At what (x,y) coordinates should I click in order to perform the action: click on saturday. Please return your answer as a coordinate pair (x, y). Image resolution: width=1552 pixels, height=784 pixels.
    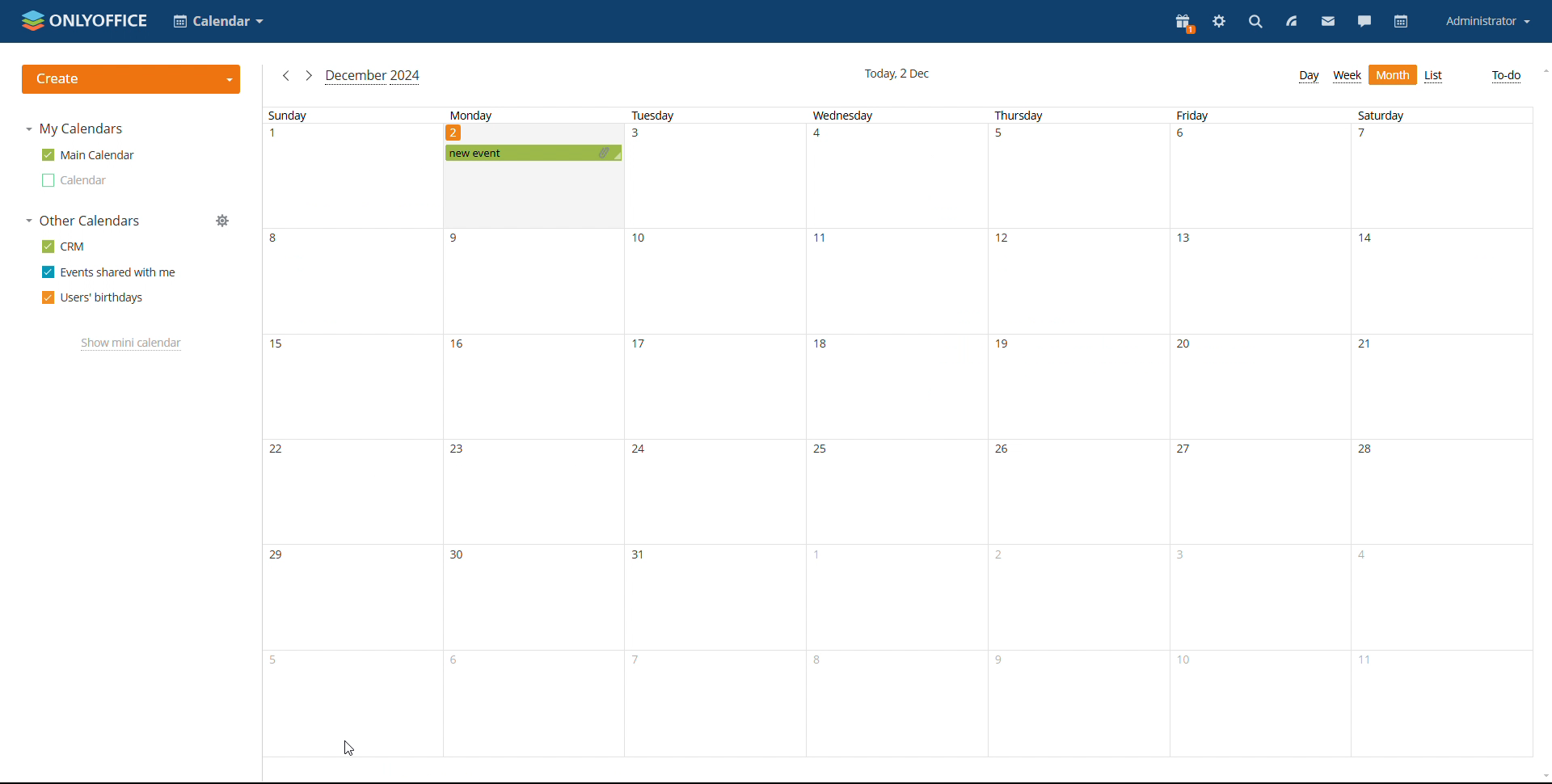
    Looking at the image, I should click on (1443, 432).